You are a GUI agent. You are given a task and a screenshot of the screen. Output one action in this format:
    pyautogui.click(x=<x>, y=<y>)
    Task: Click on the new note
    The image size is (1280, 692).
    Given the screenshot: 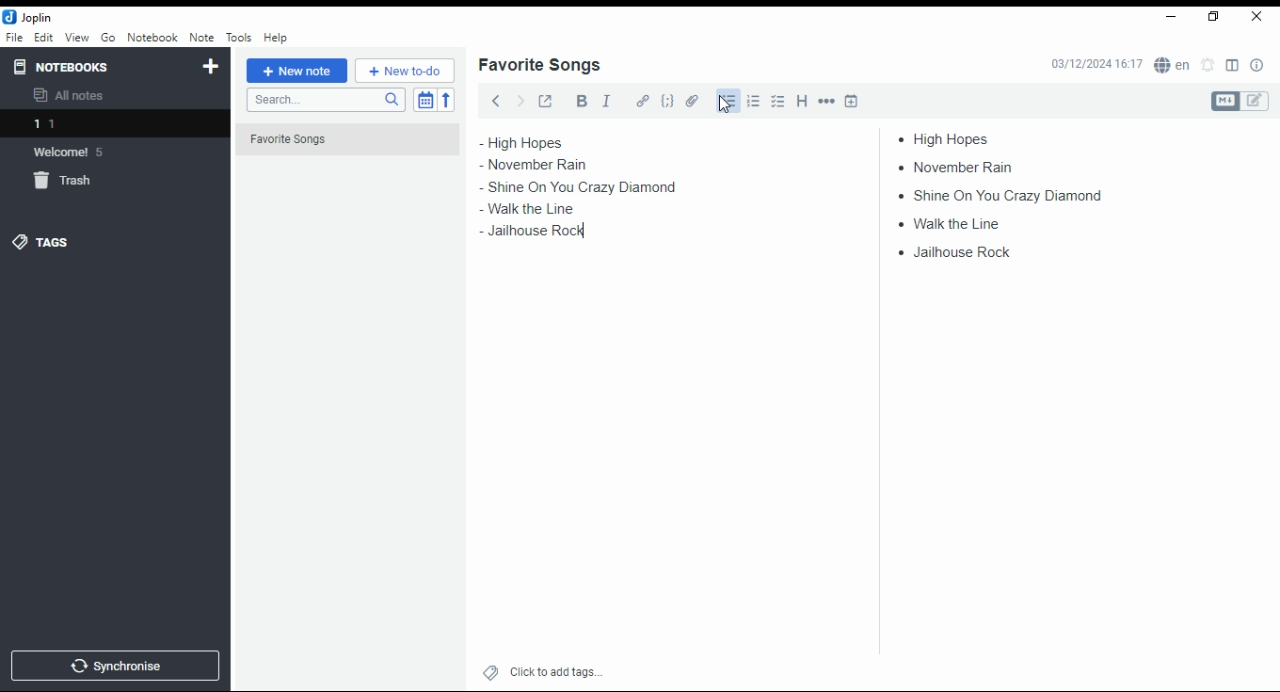 What is the action you would take?
    pyautogui.click(x=297, y=71)
    